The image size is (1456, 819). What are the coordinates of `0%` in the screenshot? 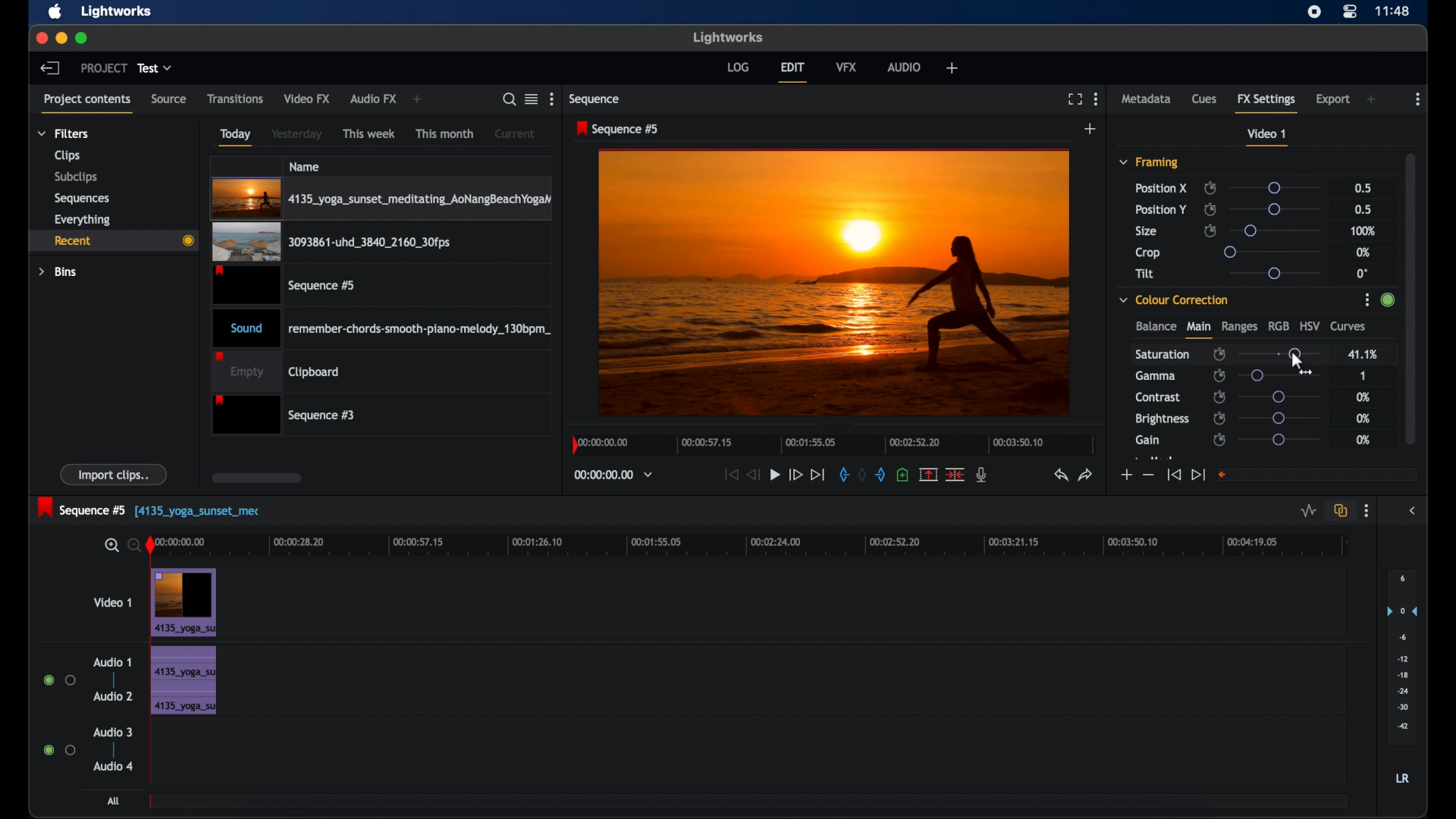 It's located at (1363, 440).